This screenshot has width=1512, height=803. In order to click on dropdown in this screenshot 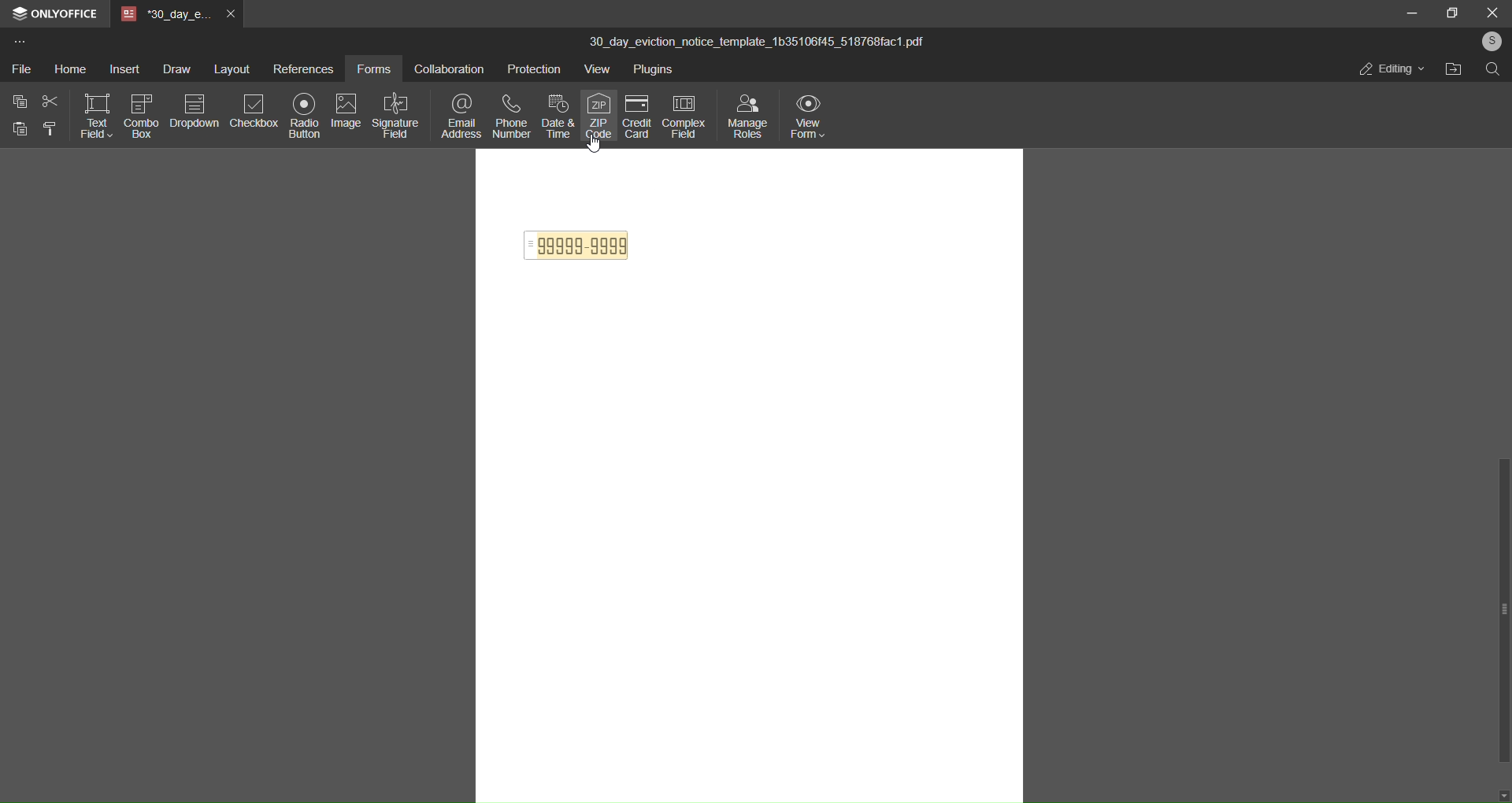, I will do `click(196, 111)`.